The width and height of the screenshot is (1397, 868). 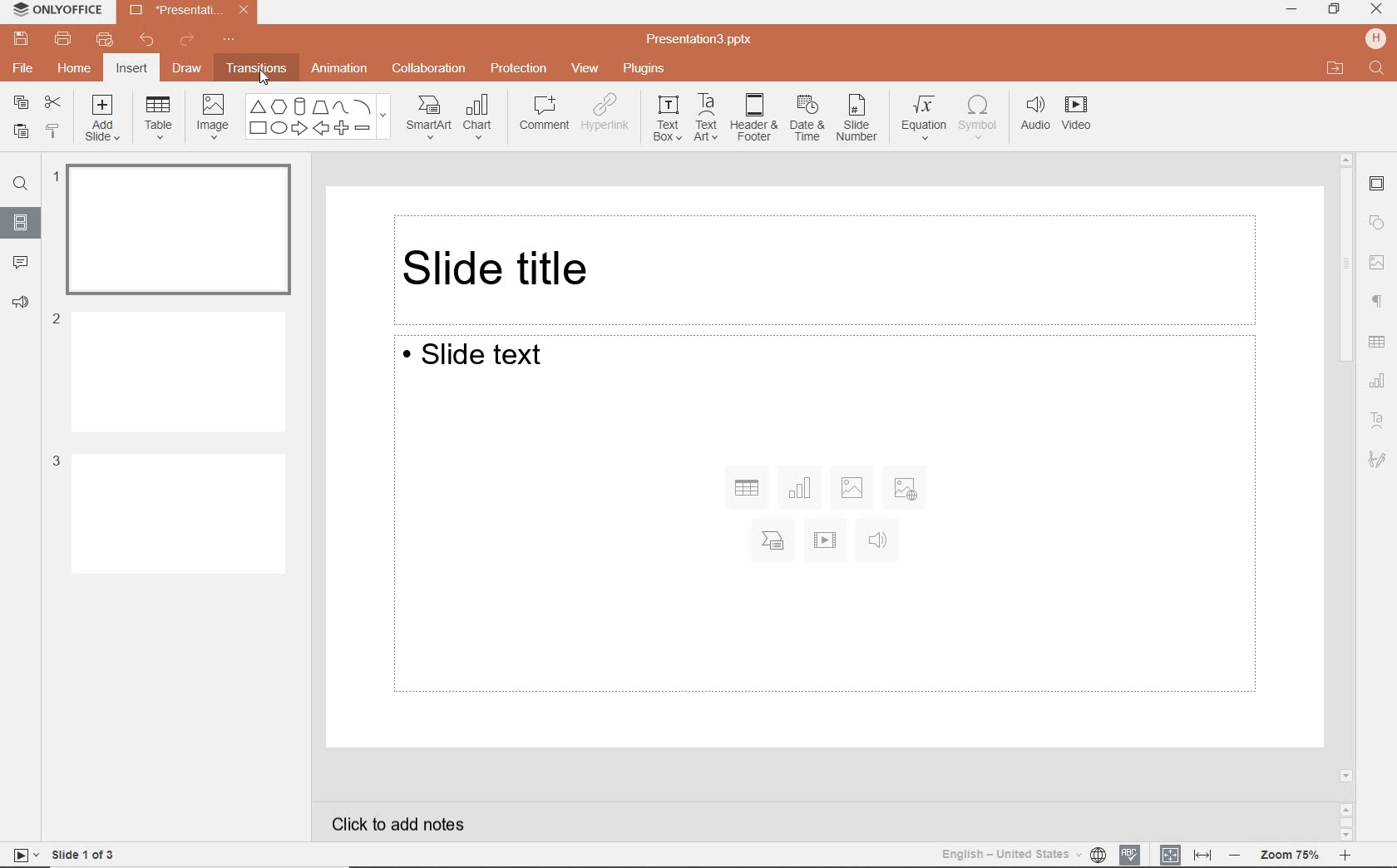 I want to click on HYPERLINK, so click(x=606, y=116).